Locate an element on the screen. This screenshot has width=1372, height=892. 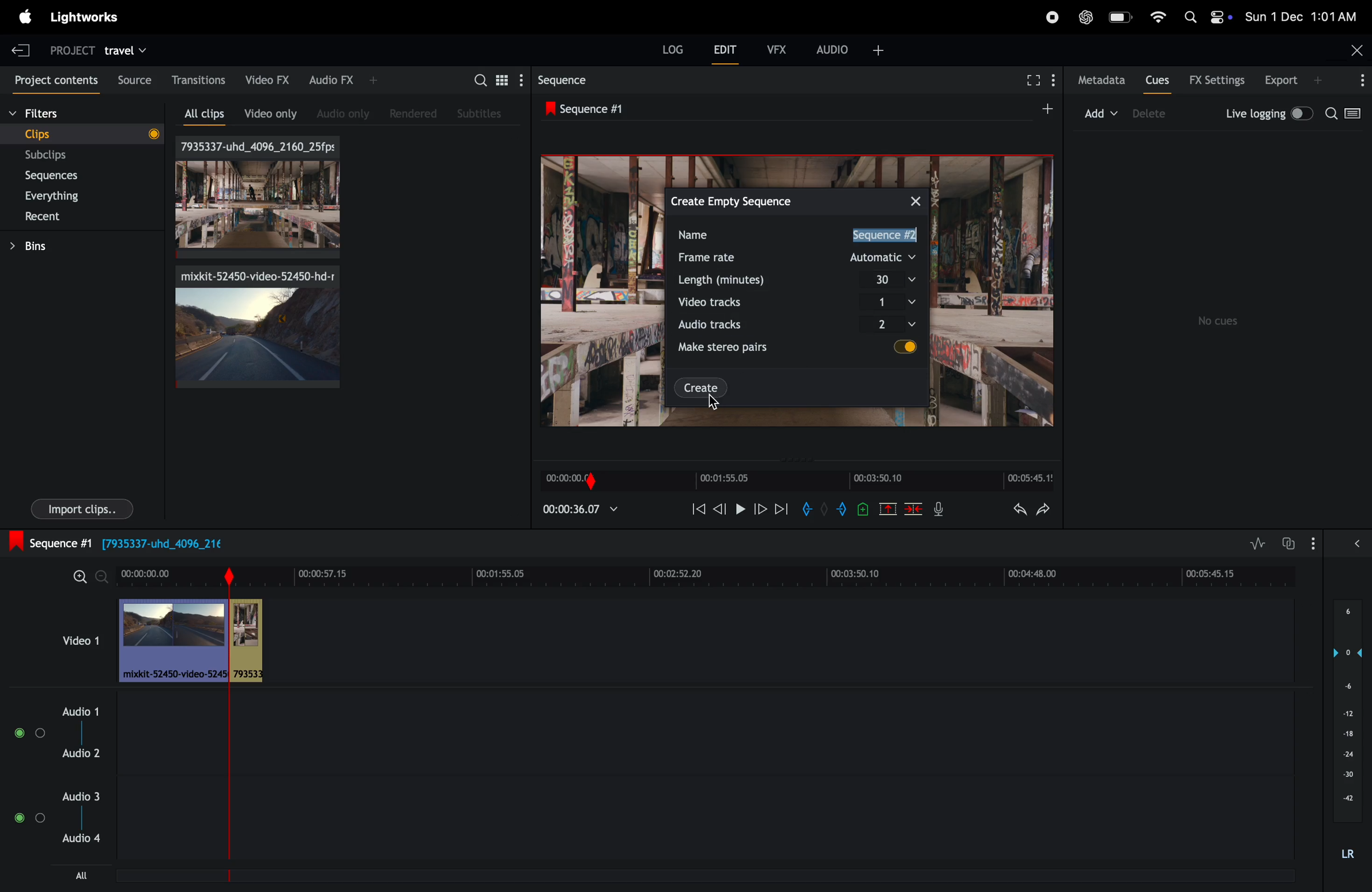
cut is located at coordinates (888, 508).